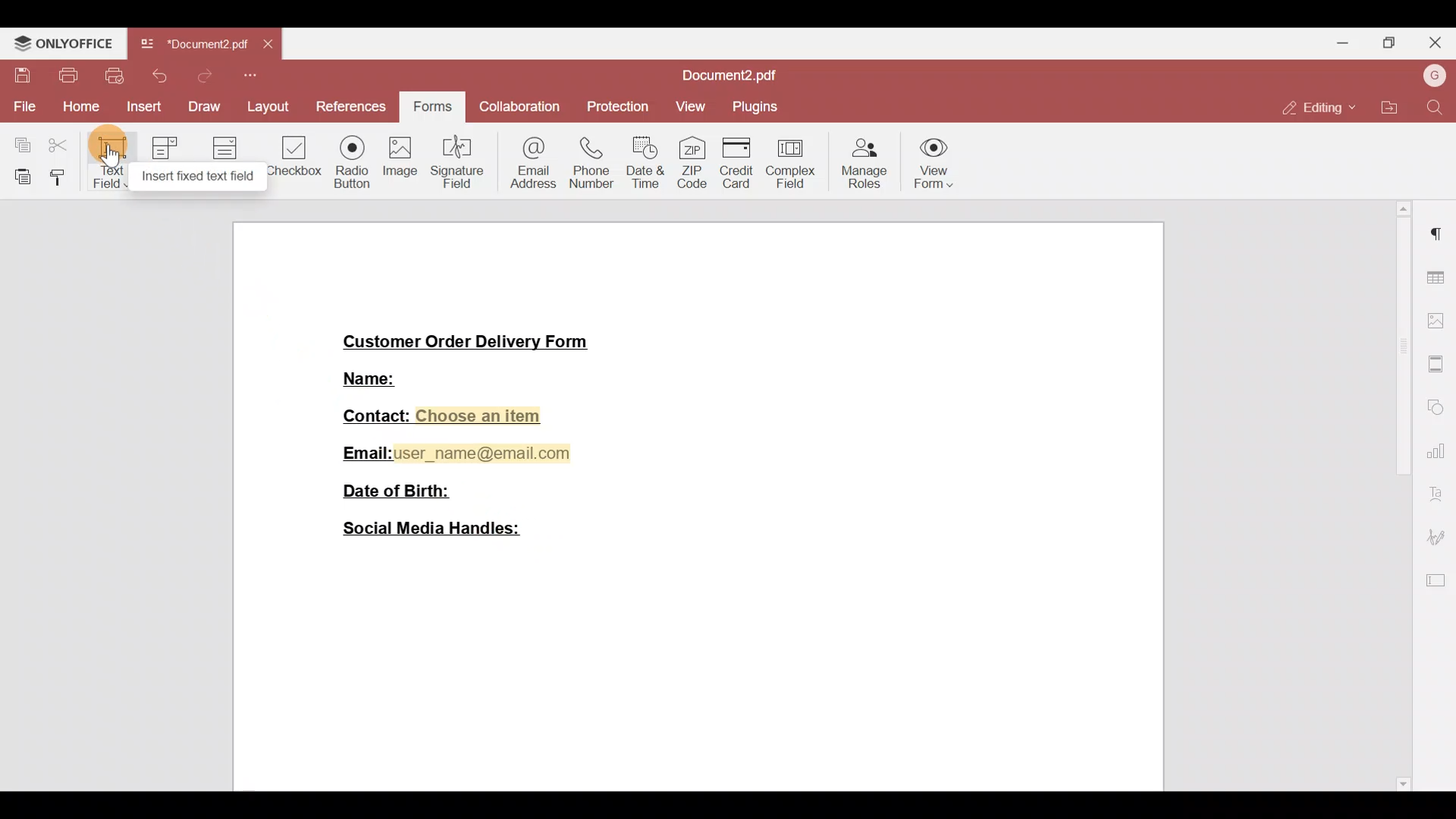 The width and height of the screenshot is (1456, 819). Describe the element at coordinates (251, 76) in the screenshot. I see `Customize quick access toolbar` at that location.